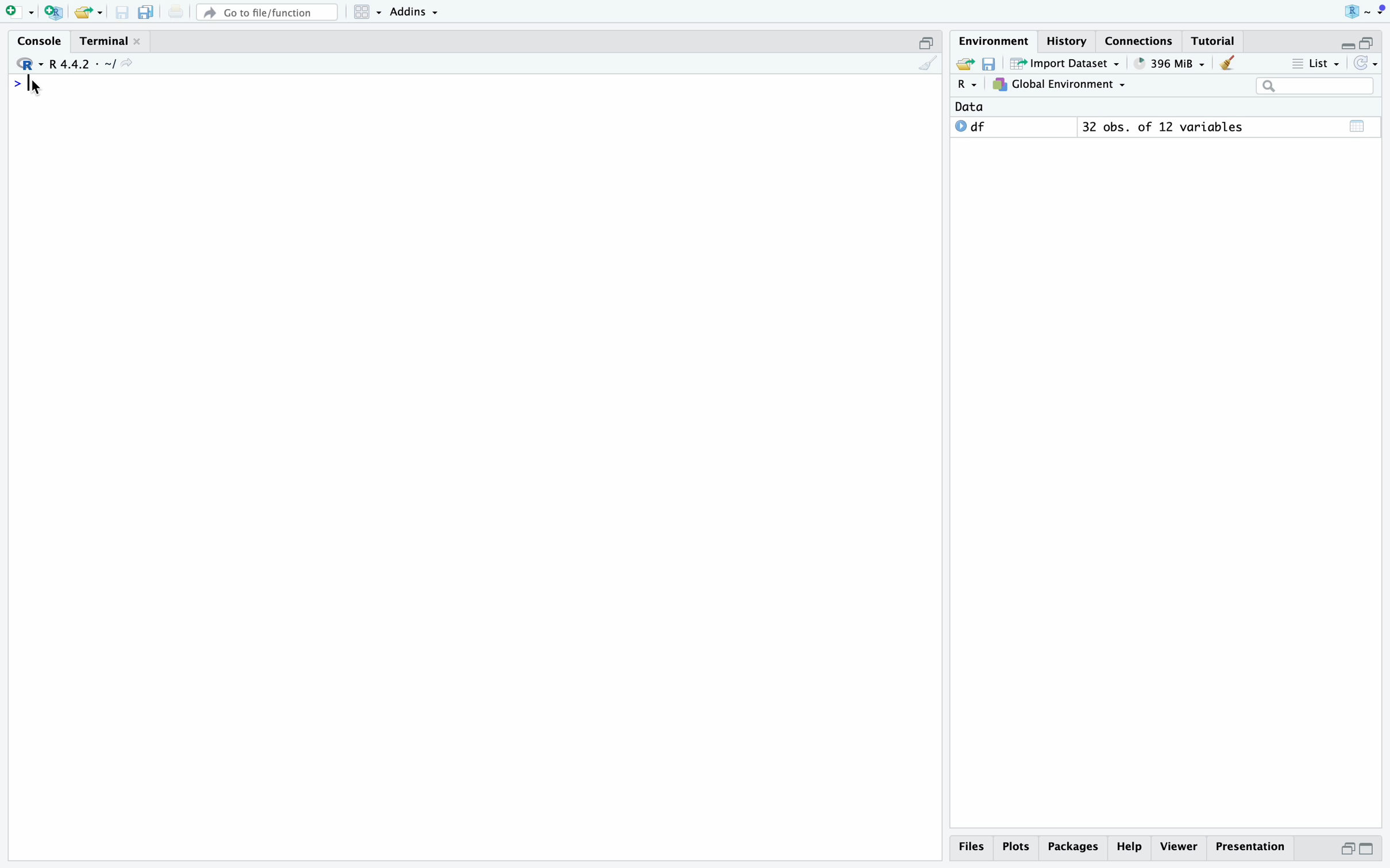  What do you see at coordinates (1068, 41) in the screenshot?
I see `history` at bounding box center [1068, 41].